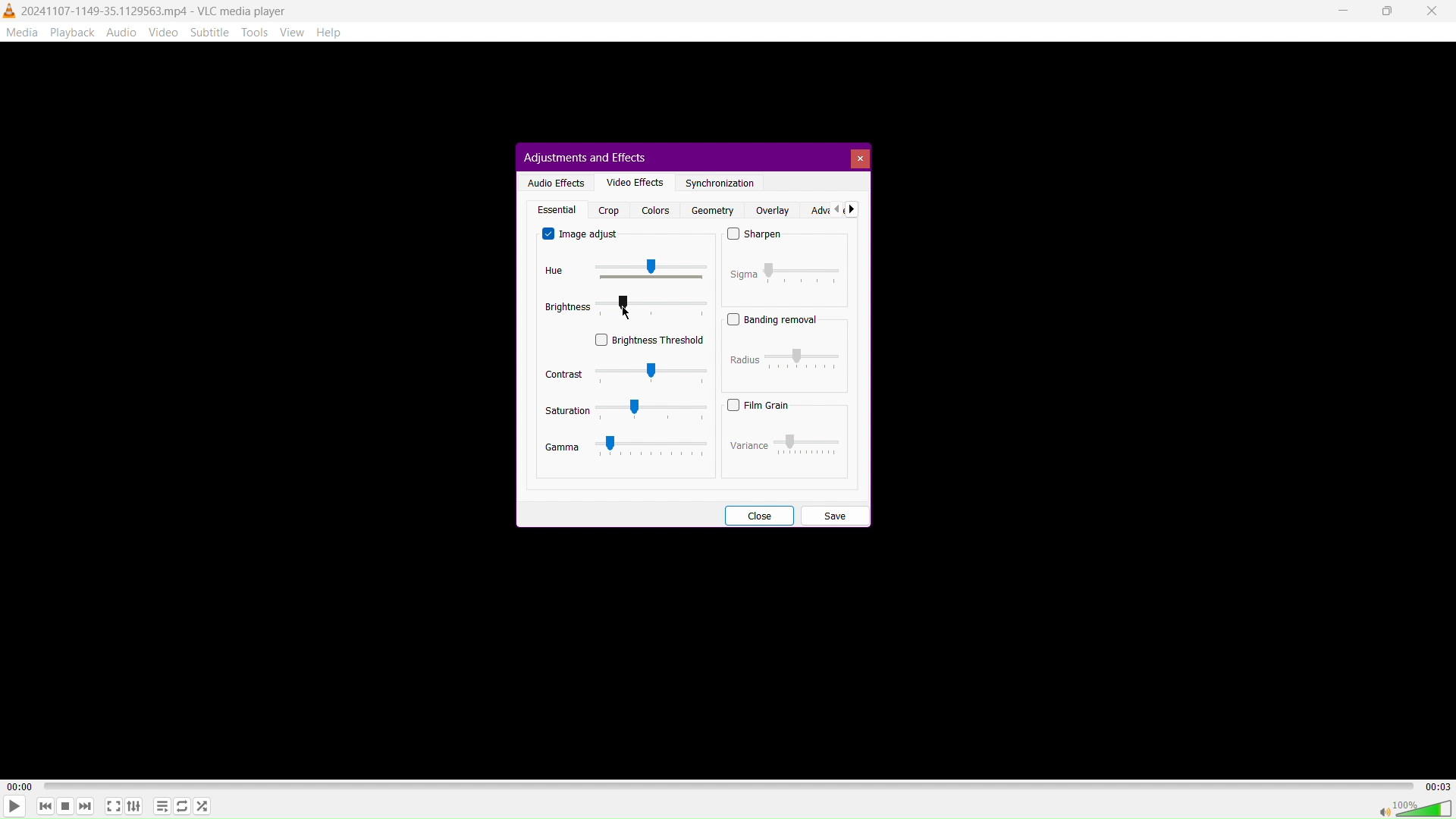 The width and height of the screenshot is (1456, 819). Describe the element at coordinates (160, 805) in the screenshot. I see `Toggle playlist` at that location.